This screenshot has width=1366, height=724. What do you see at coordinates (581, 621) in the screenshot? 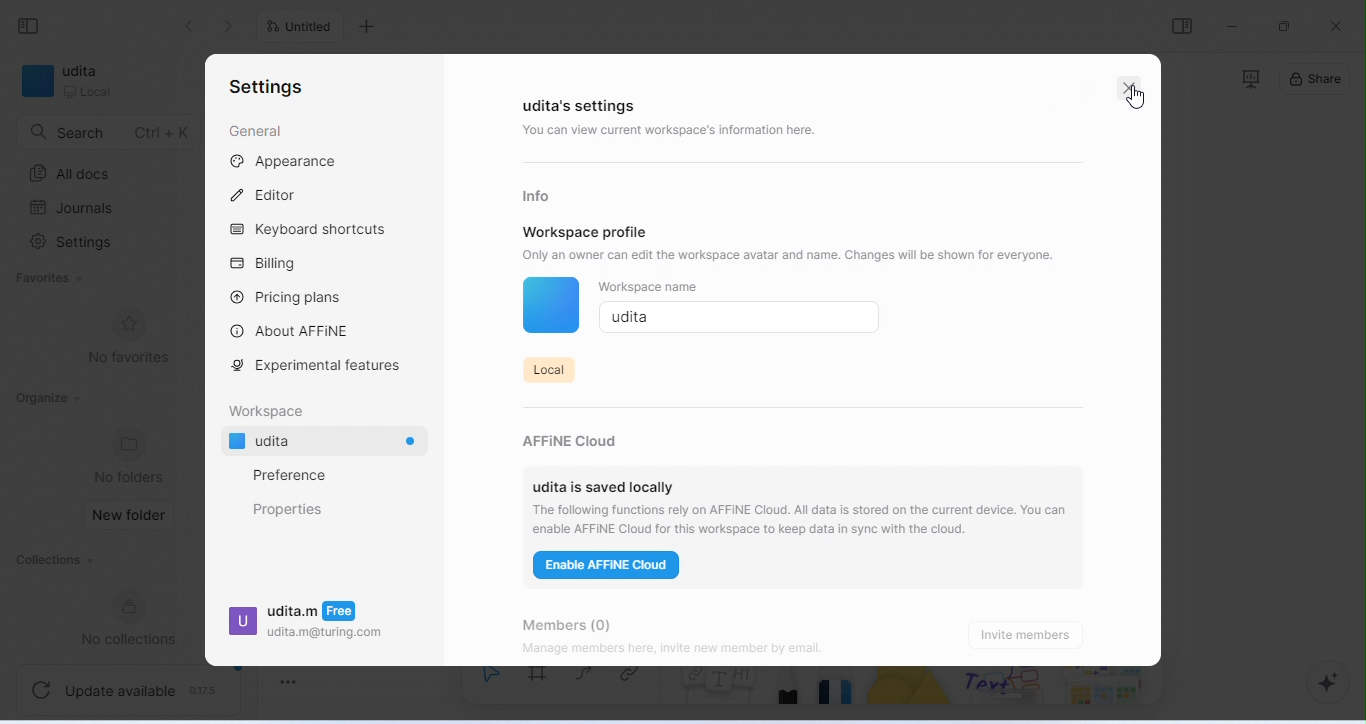
I see `members` at bounding box center [581, 621].